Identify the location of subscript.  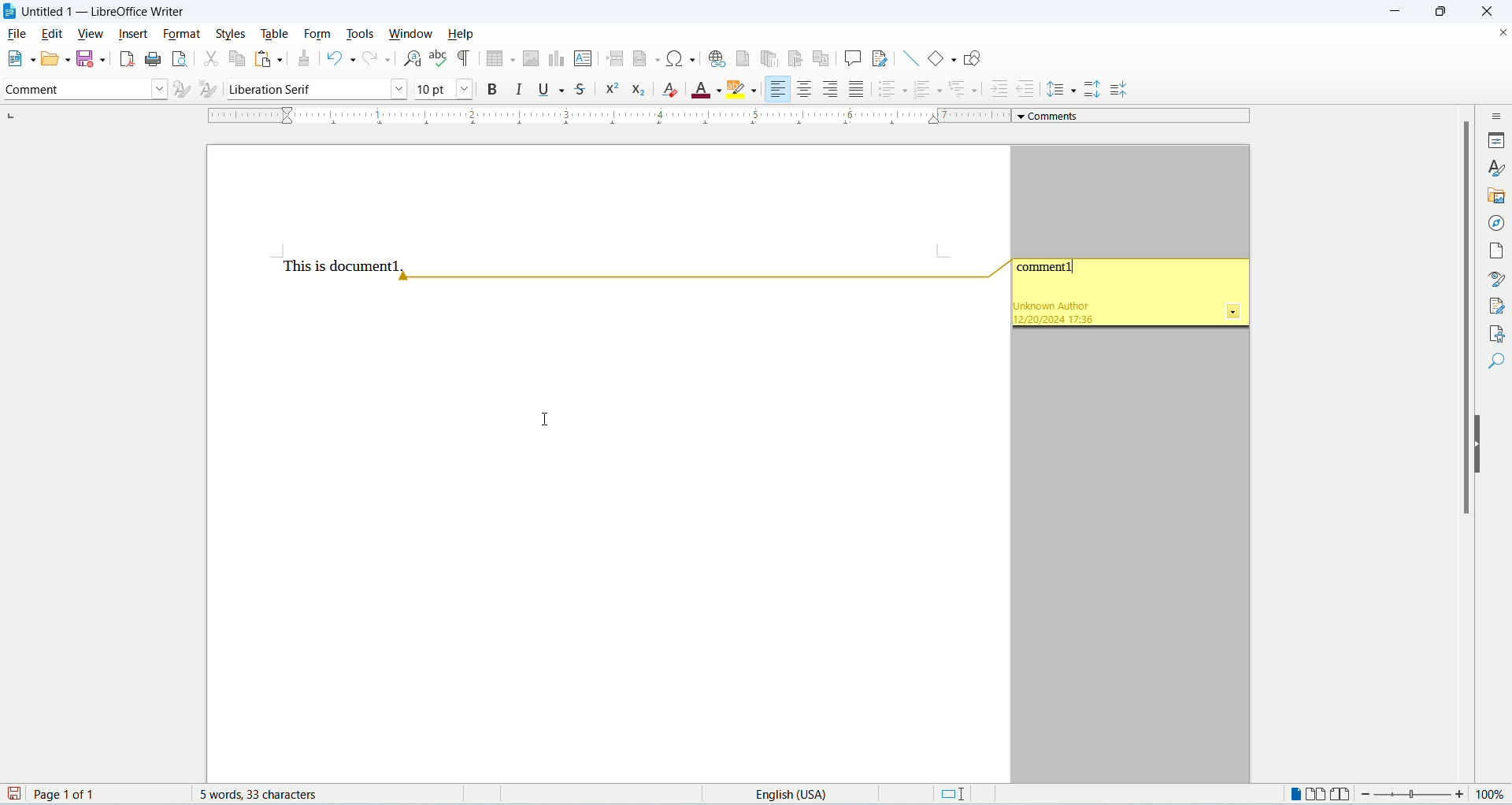
(639, 92).